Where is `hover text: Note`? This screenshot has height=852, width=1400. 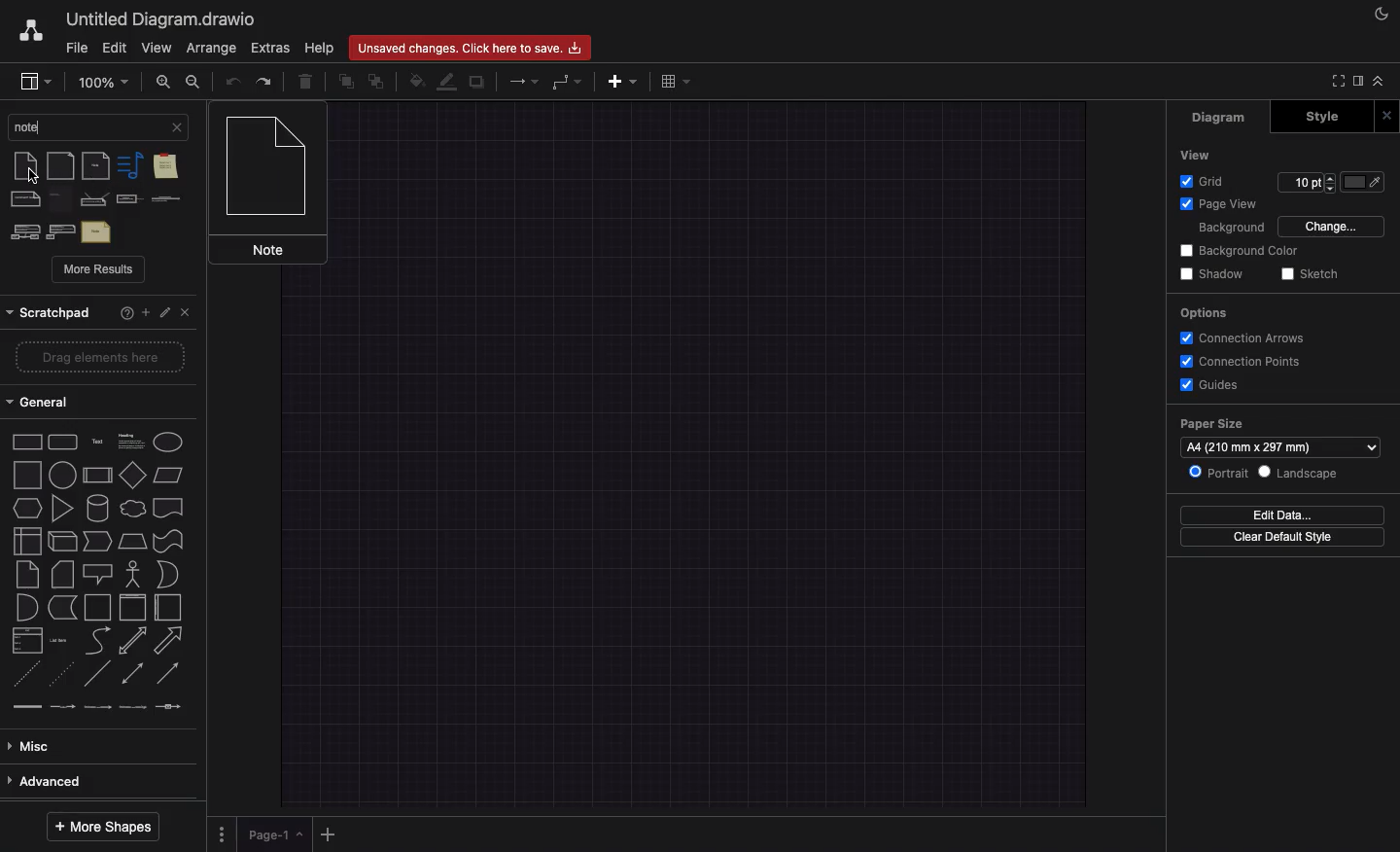 hover text: Note is located at coordinates (271, 186).